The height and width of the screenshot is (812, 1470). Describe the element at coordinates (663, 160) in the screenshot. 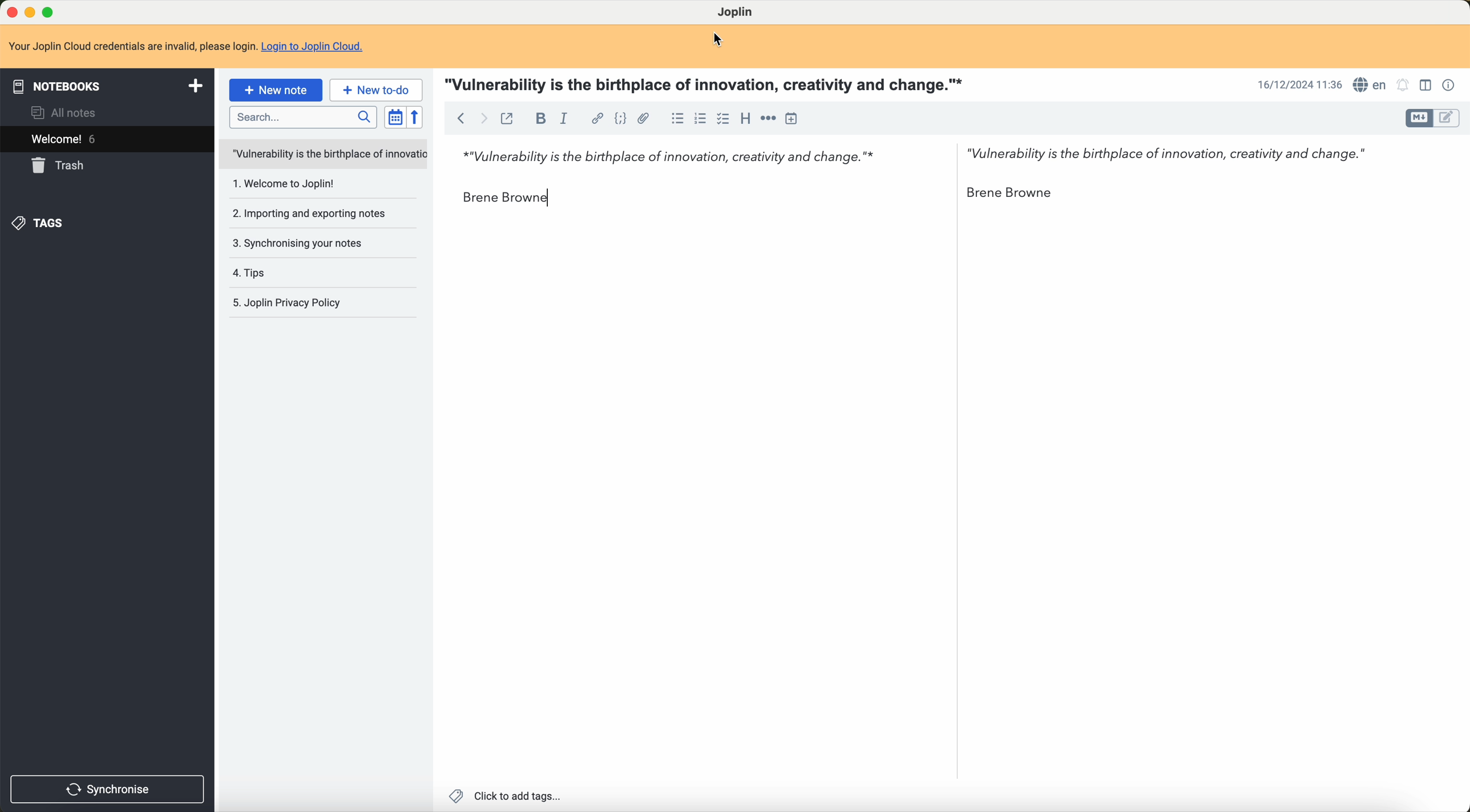

I see `*"Vulnerability is the birthplace of innovation, creativity and change.”` at that location.